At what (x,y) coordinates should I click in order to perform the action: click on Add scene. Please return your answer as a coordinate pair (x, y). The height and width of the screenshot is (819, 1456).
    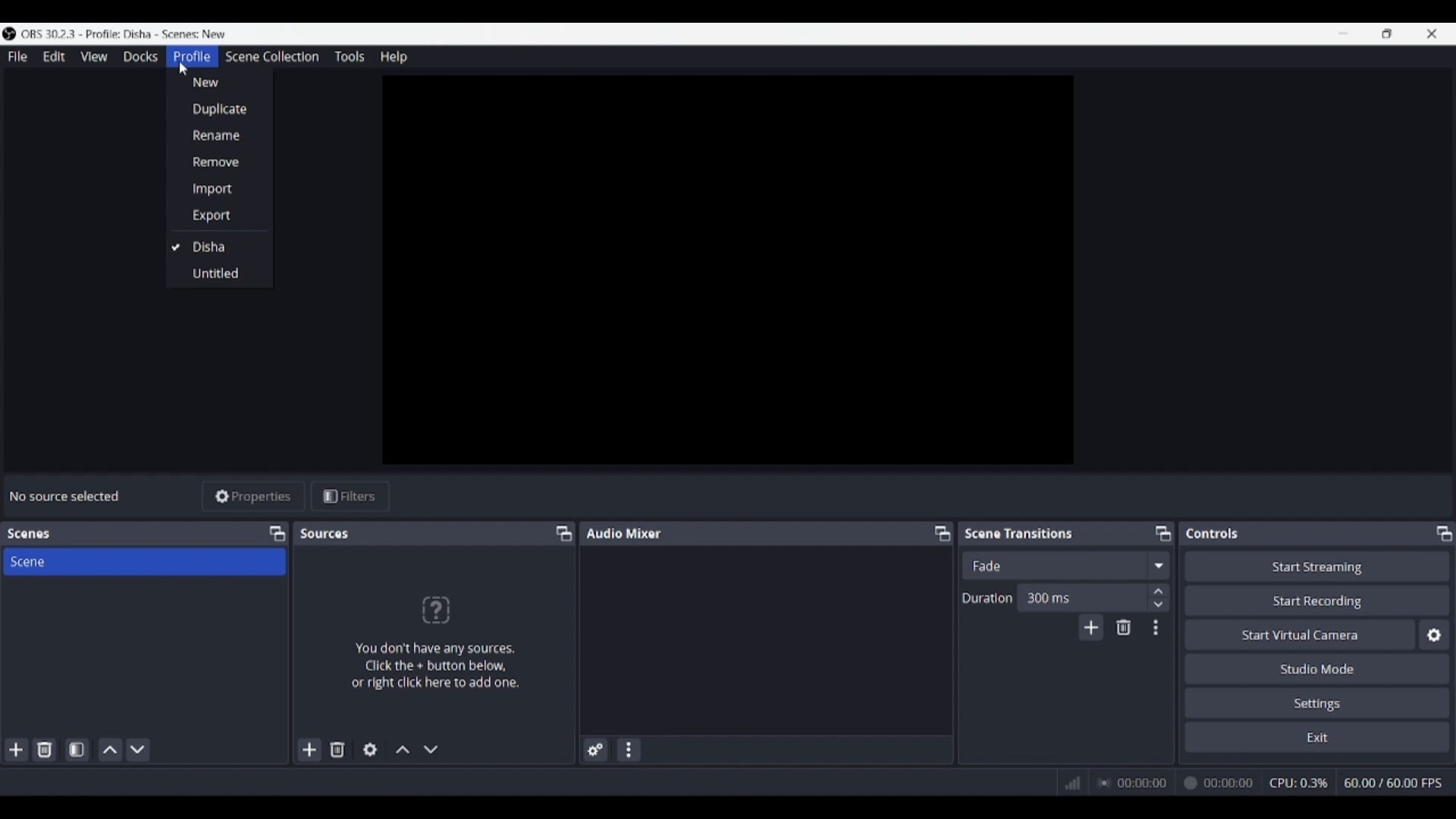
    Looking at the image, I should click on (17, 750).